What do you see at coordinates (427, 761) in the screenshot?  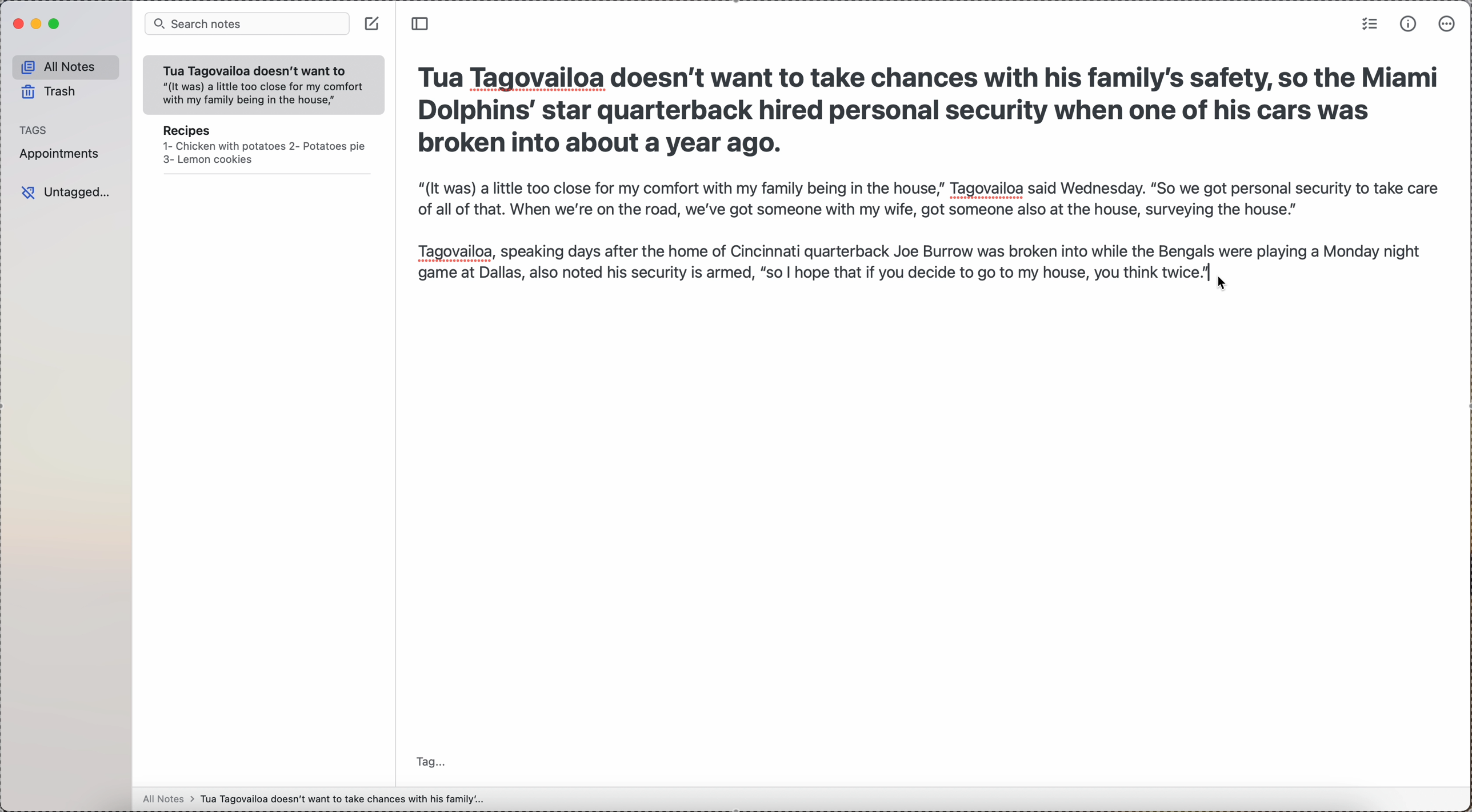 I see `tag` at bounding box center [427, 761].